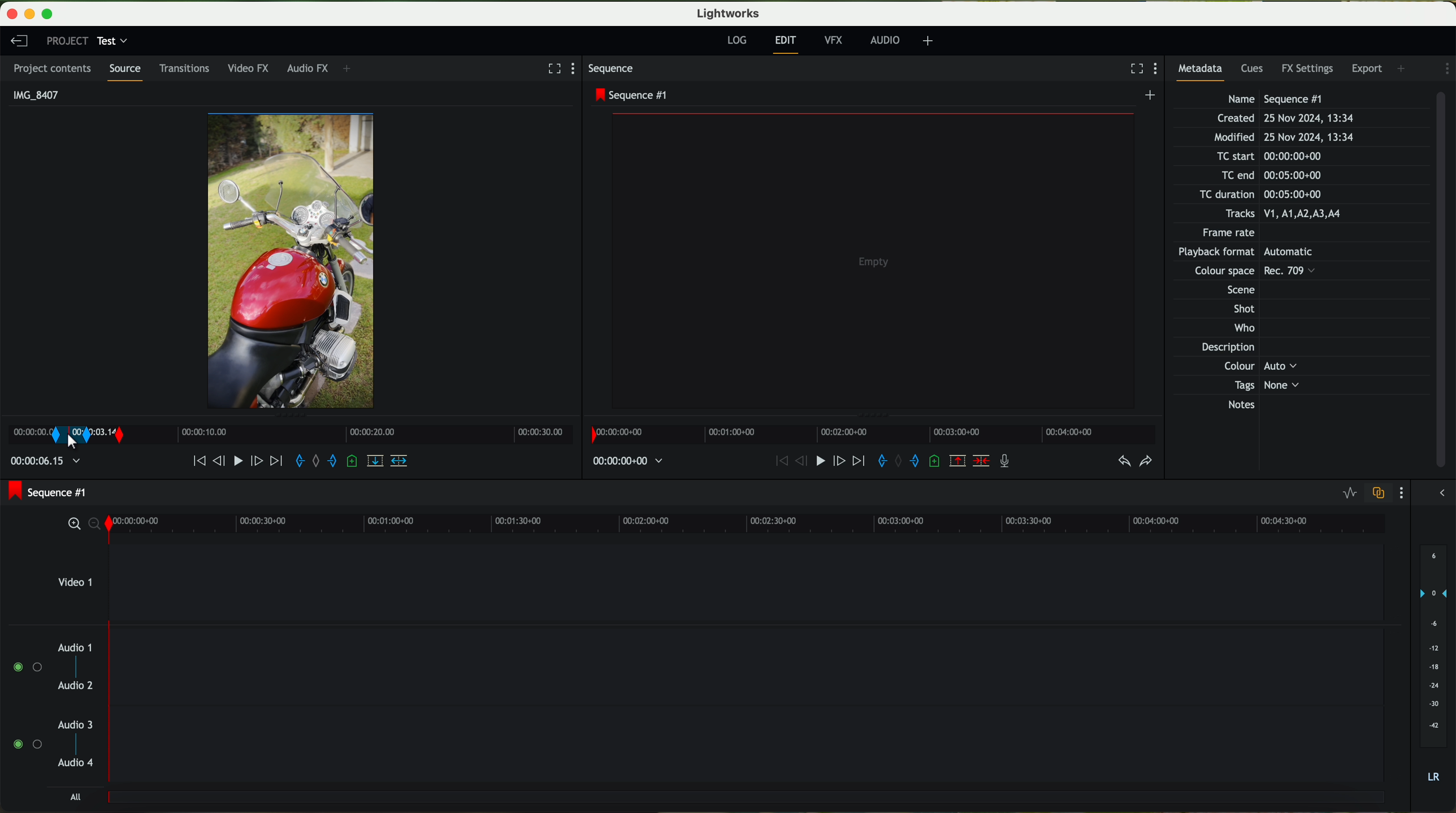  I want to click on zoom in, so click(69, 525).